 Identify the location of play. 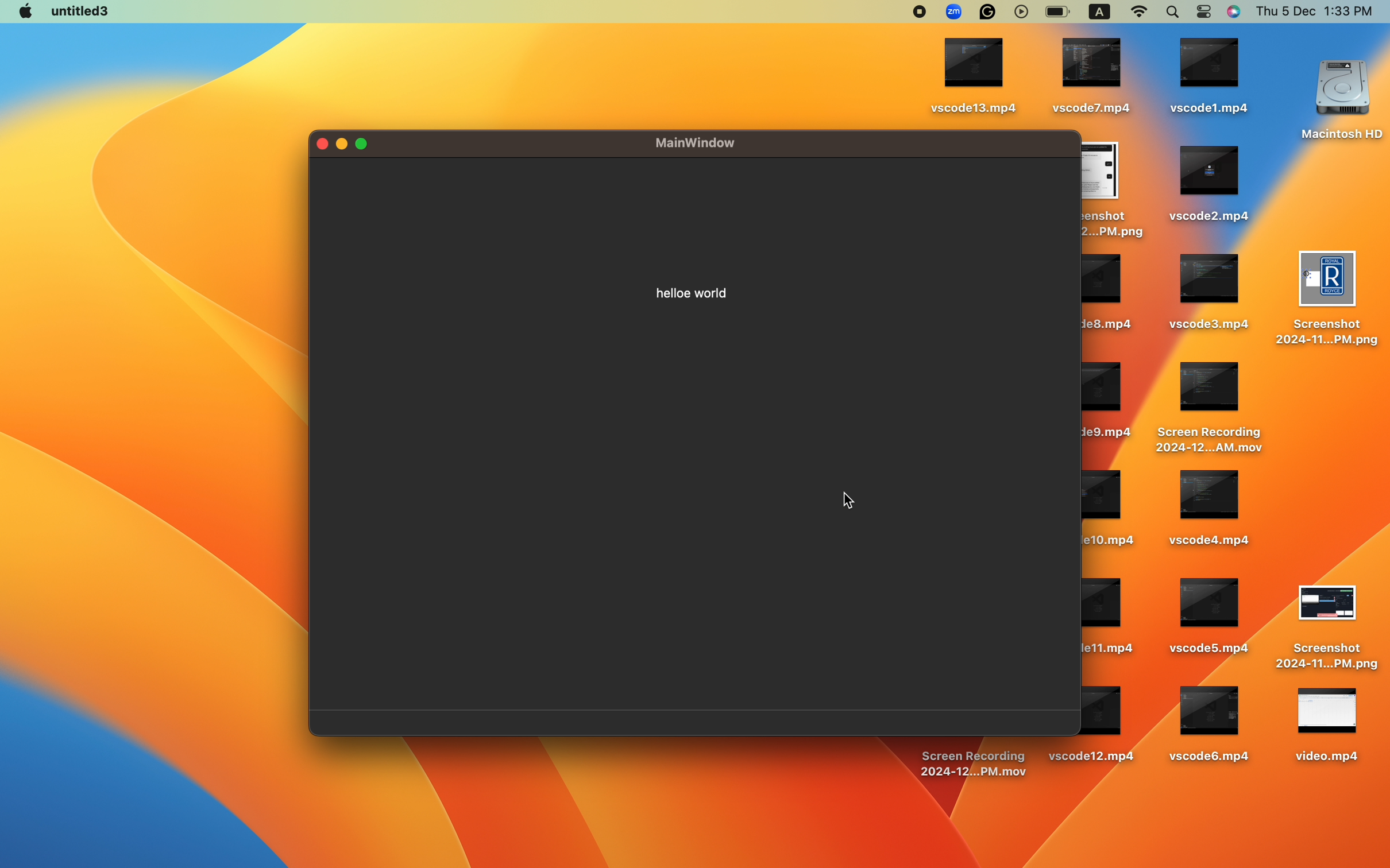
(1150, 13).